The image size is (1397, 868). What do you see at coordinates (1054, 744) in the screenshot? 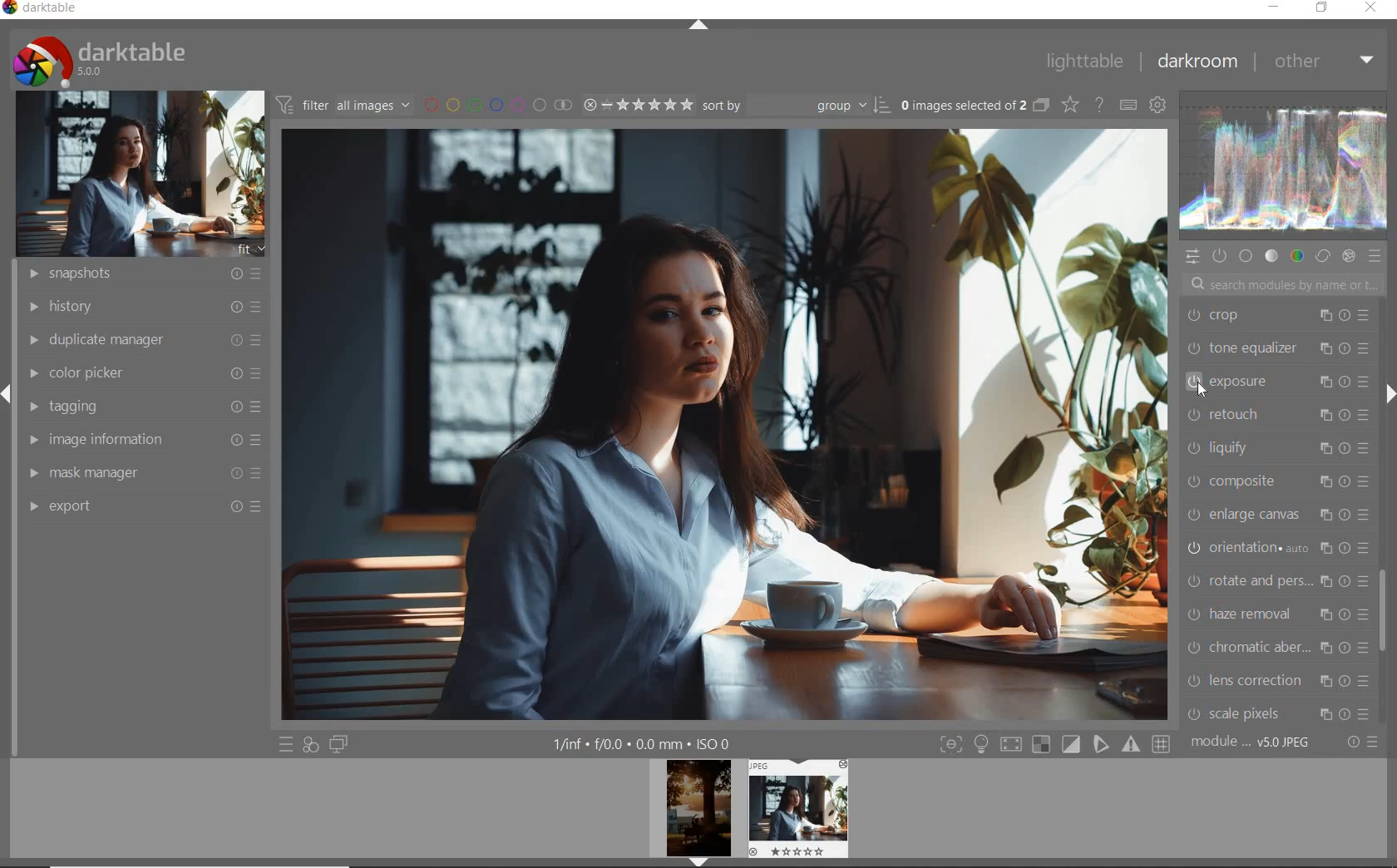
I see `TOGGLE MODE` at bounding box center [1054, 744].